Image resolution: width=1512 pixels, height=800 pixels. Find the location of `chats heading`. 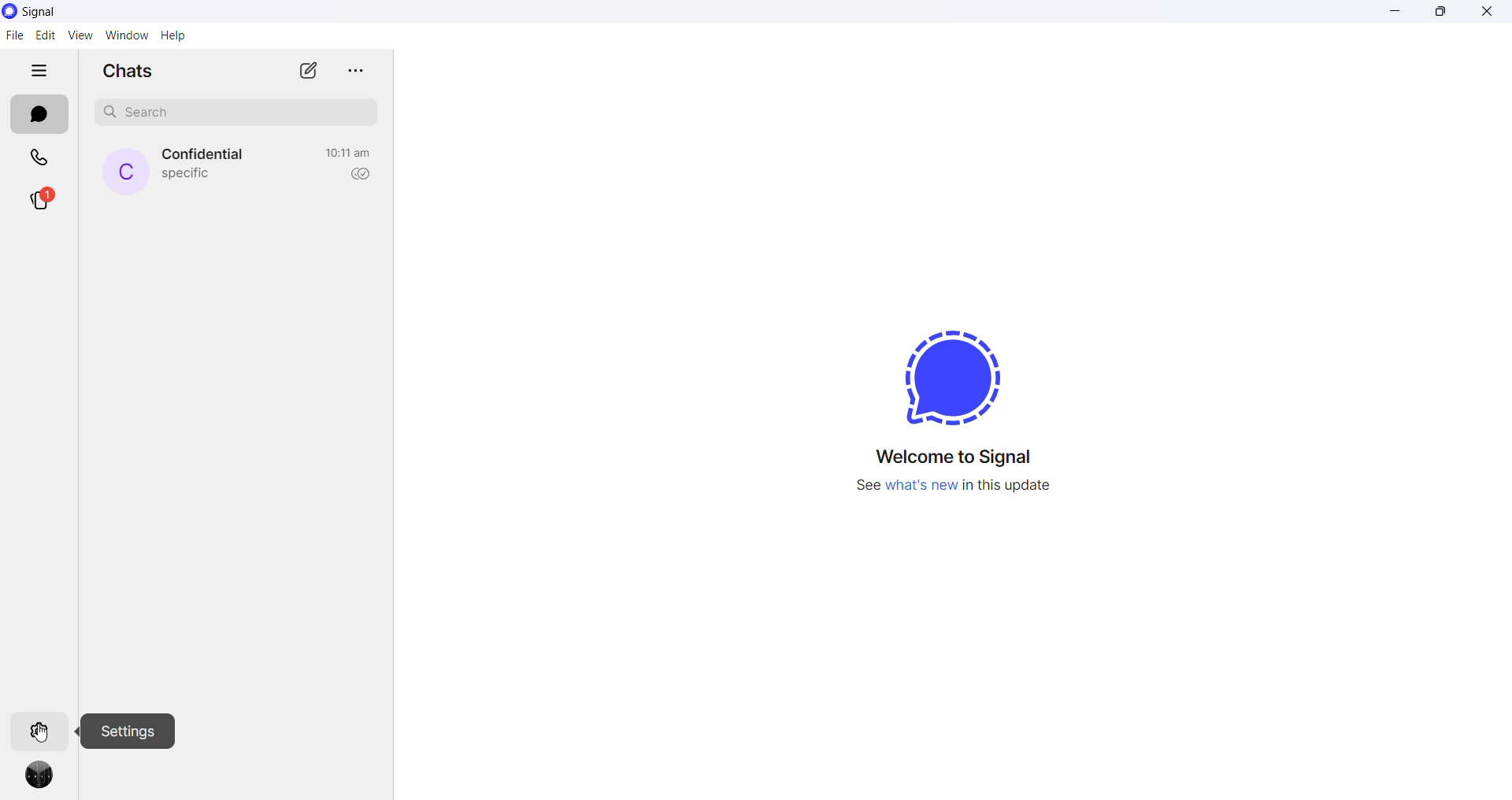

chats heading is located at coordinates (133, 70).